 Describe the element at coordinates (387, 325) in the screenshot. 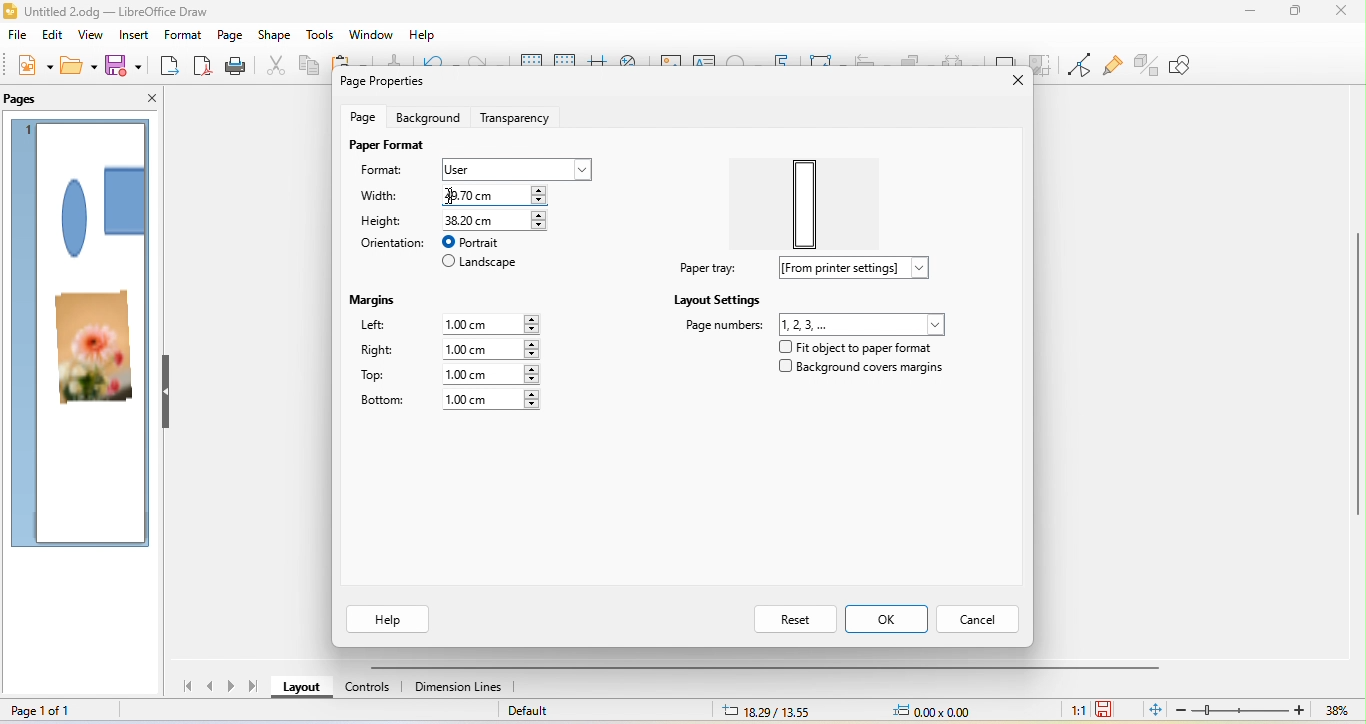

I see `left` at that location.